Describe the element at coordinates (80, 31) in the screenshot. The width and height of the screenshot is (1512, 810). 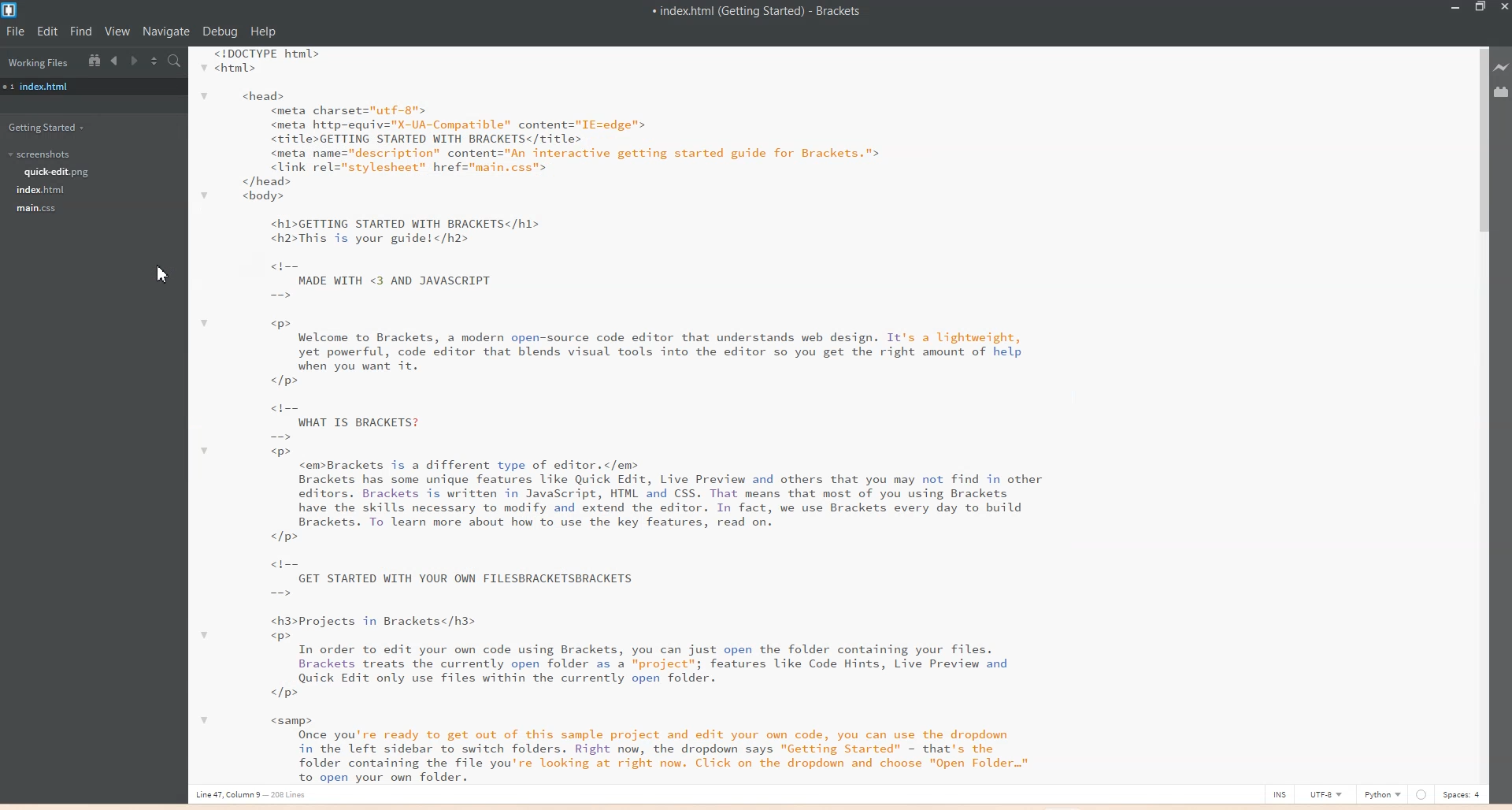
I see `Find` at that location.